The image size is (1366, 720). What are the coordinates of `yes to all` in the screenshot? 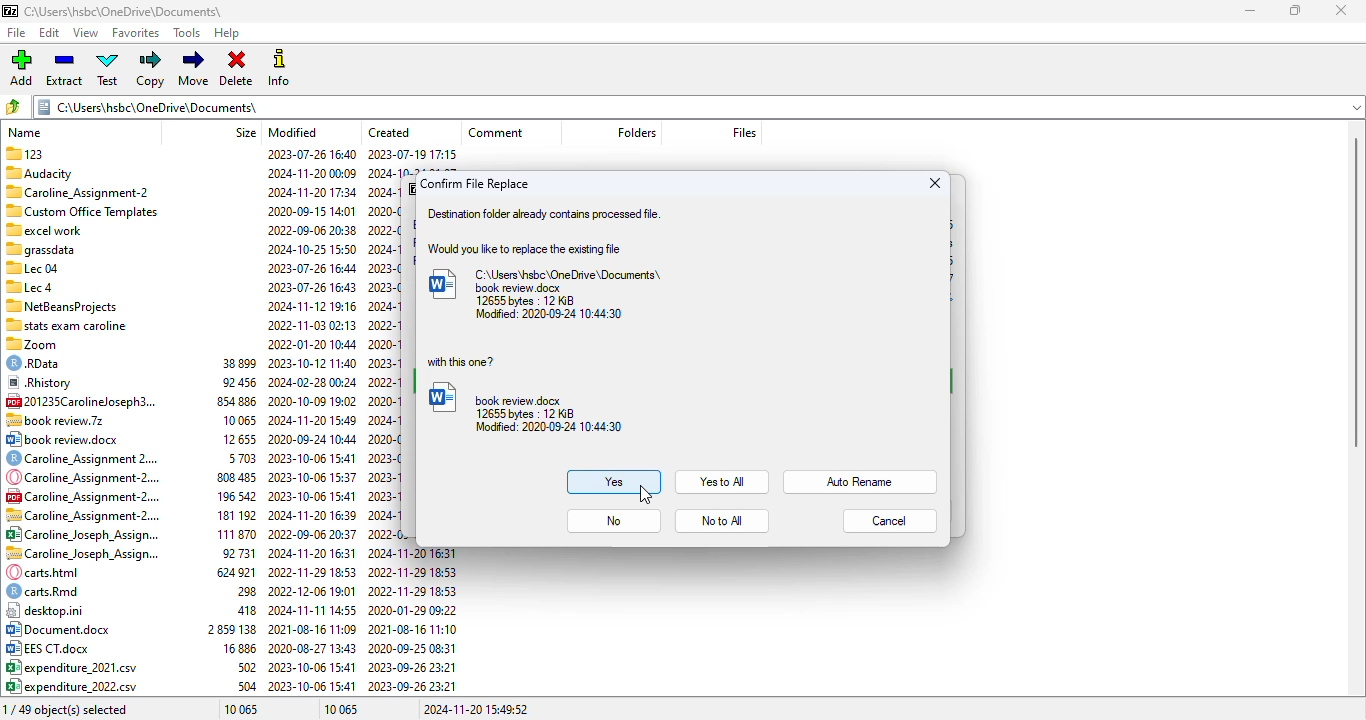 It's located at (723, 482).